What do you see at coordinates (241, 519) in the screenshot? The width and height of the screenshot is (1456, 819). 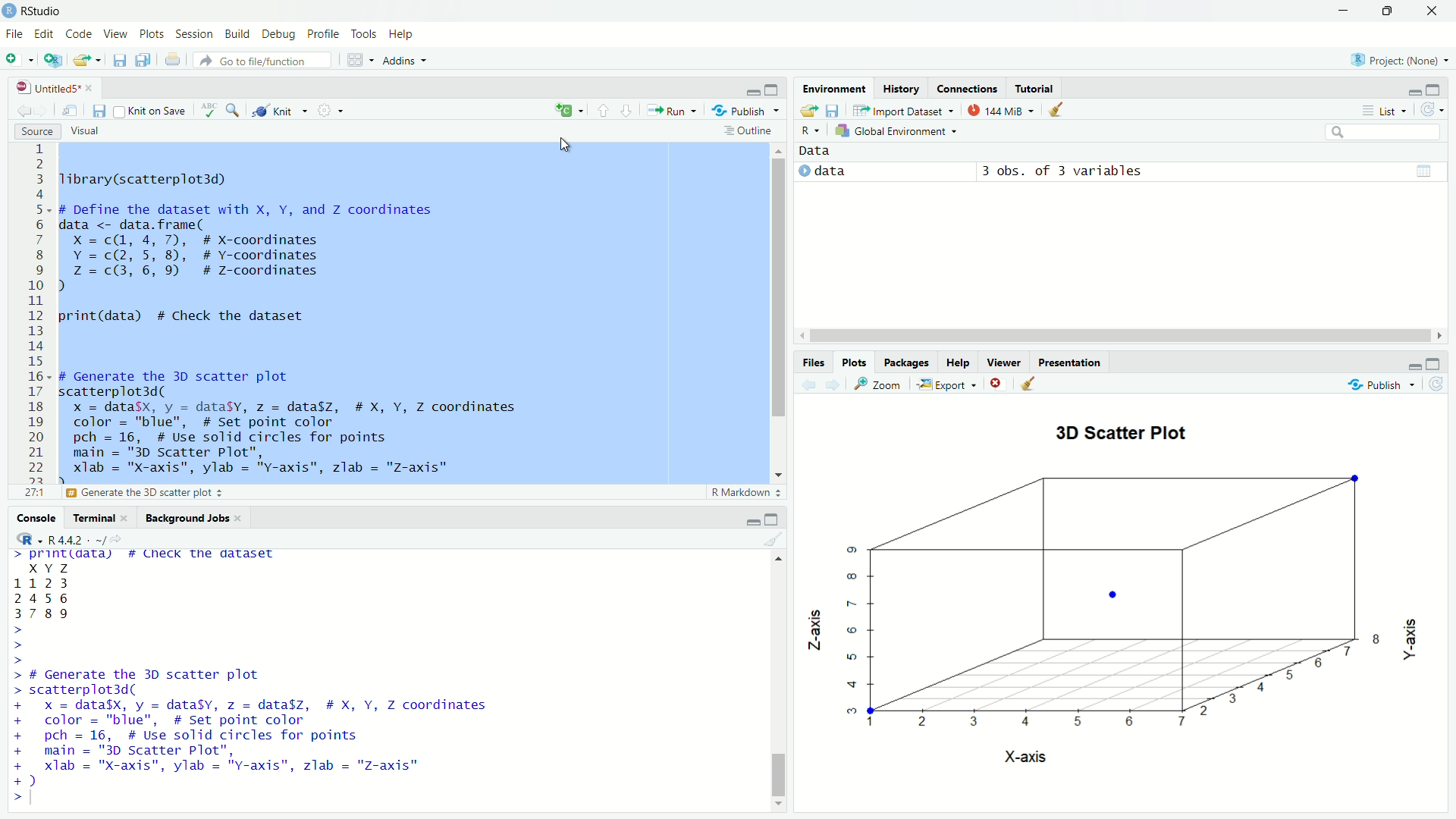 I see `close` at bounding box center [241, 519].